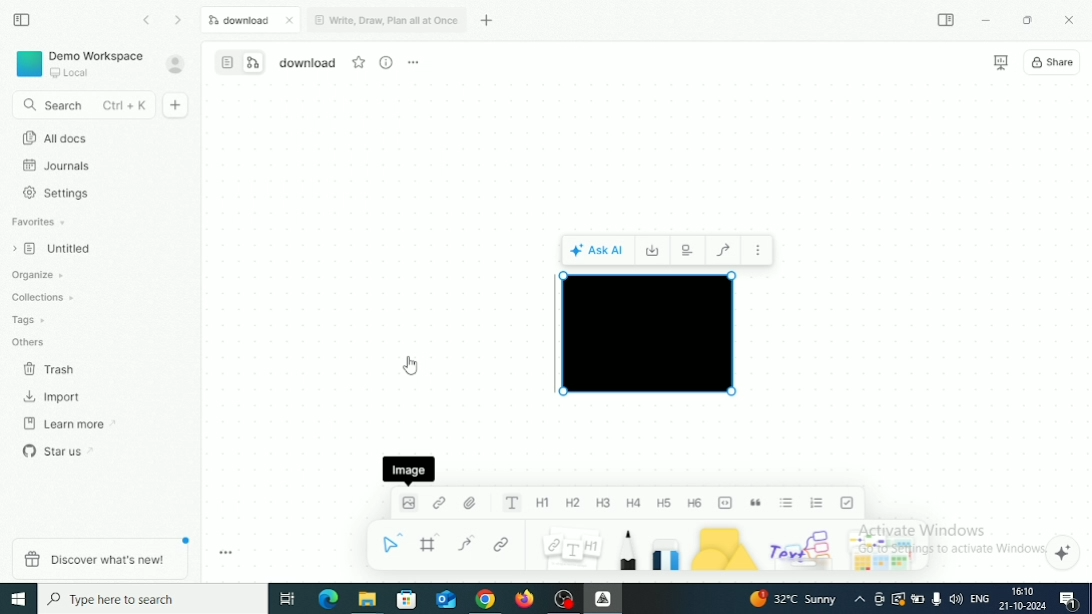  What do you see at coordinates (33, 321) in the screenshot?
I see `Tags` at bounding box center [33, 321].